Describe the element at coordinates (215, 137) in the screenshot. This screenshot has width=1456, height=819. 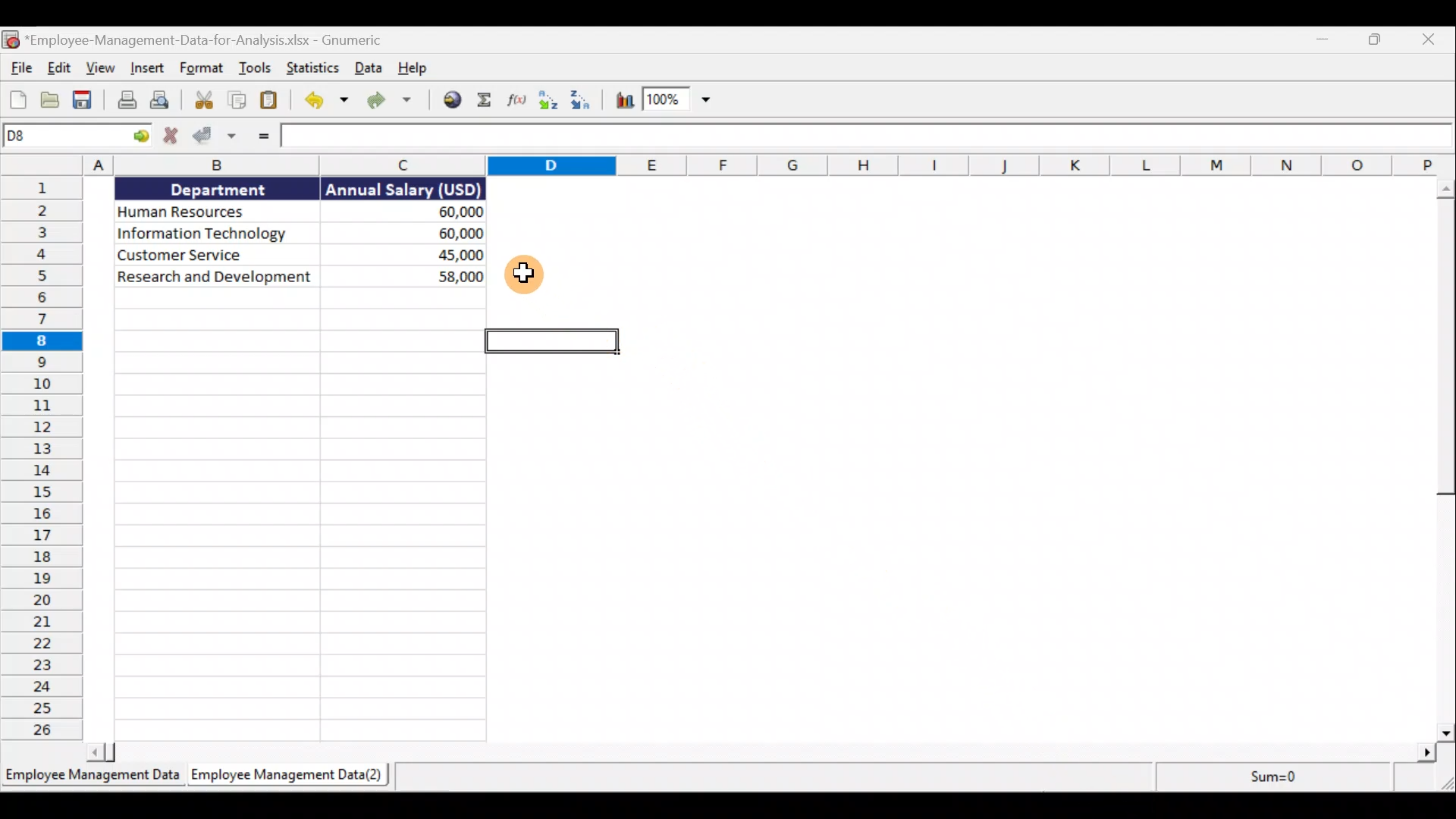
I see `Accept change` at that location.